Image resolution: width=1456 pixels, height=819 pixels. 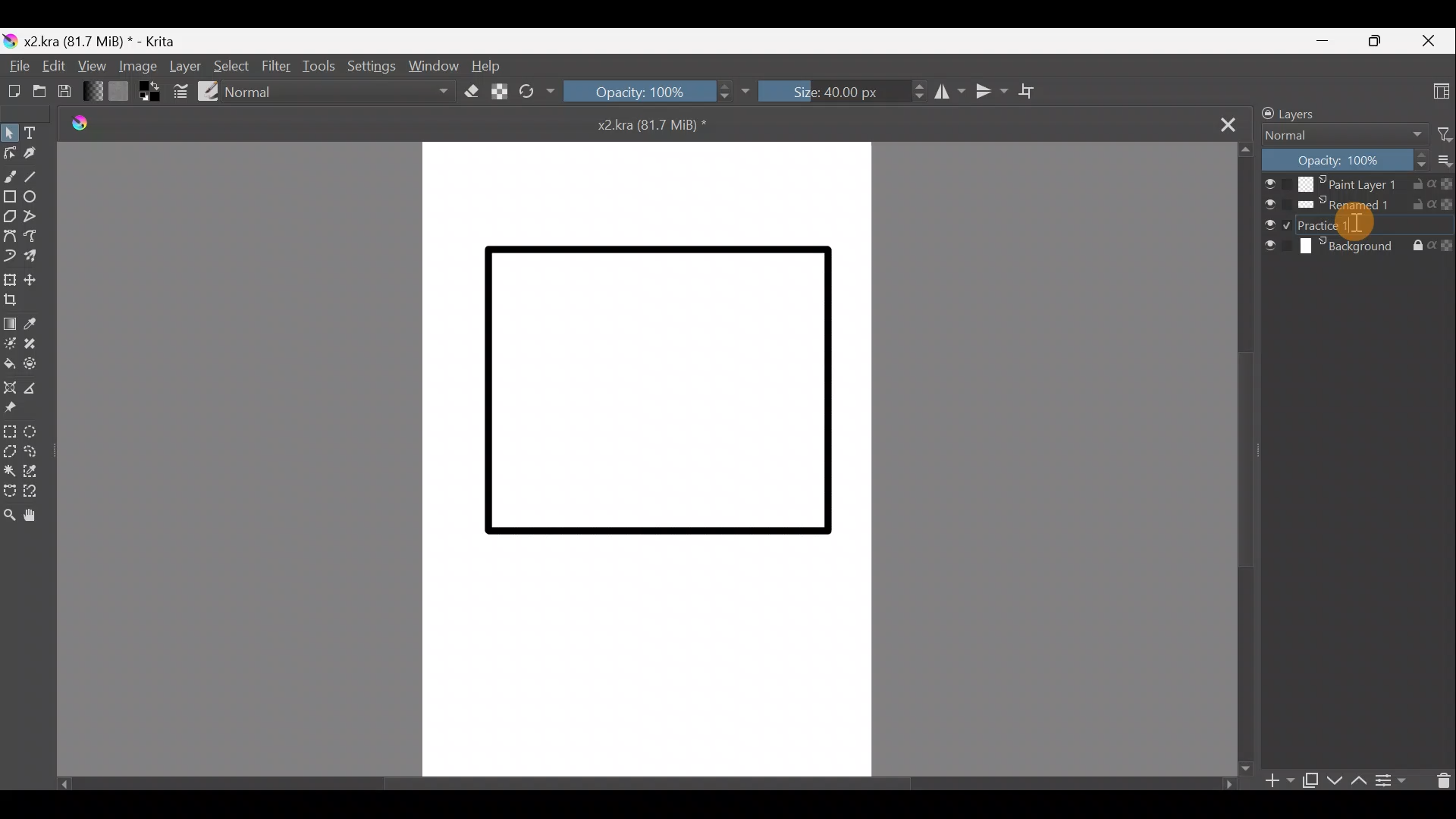 I want to click on Lock/unlock docker, so click(x=1265, y=111).